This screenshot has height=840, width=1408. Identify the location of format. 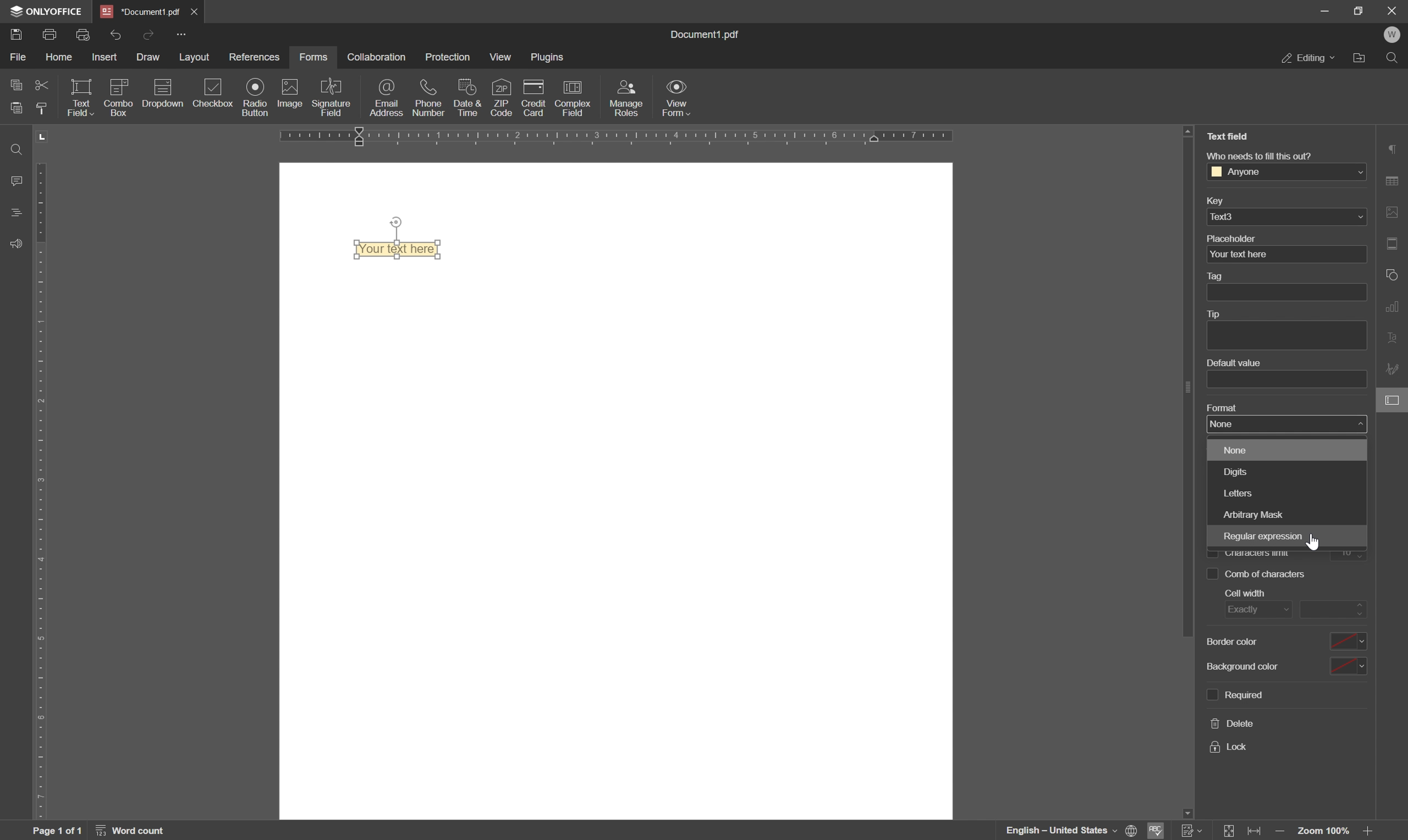
(1221, 406).